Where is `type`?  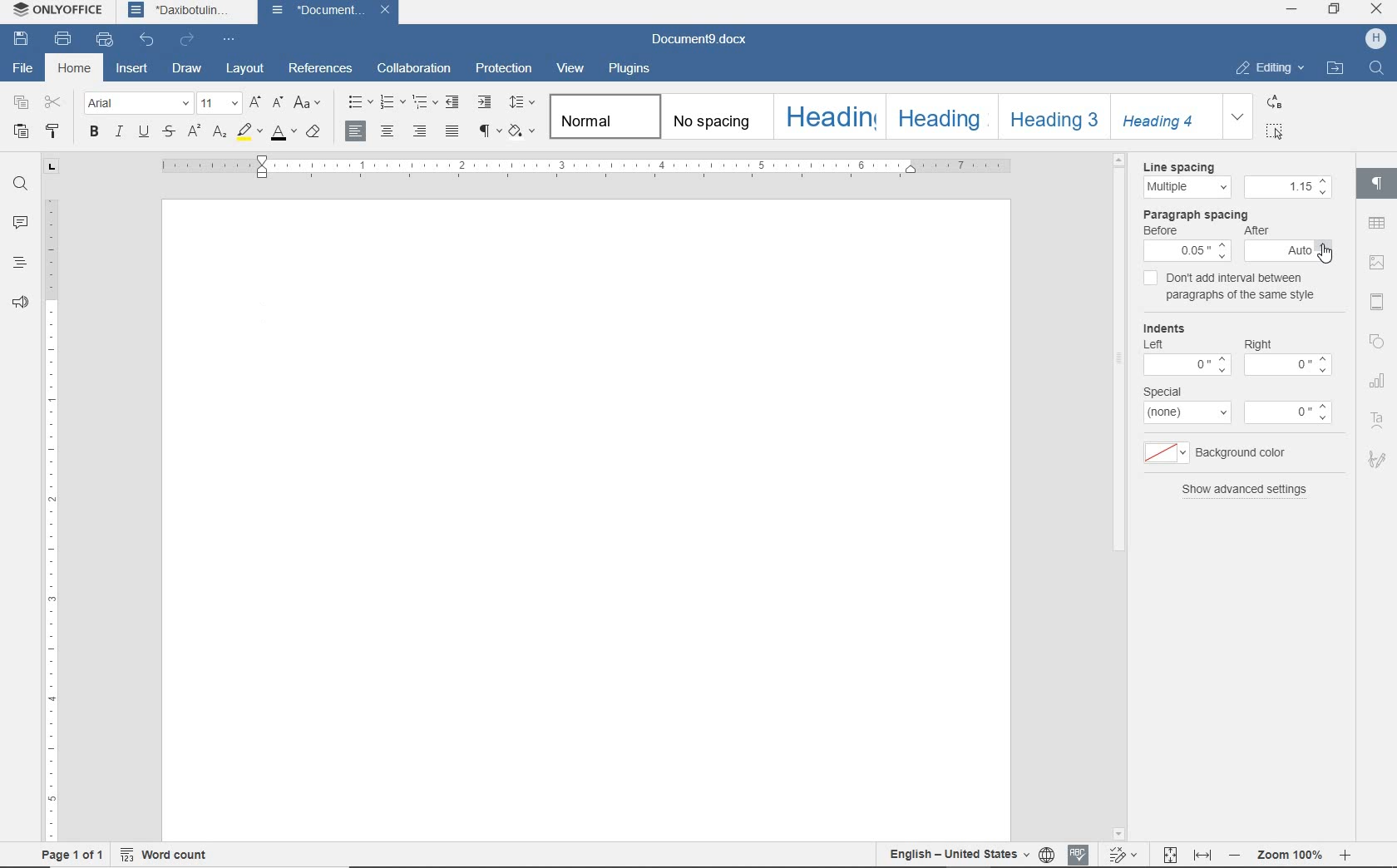
type is located at coordinates (1188, 412).